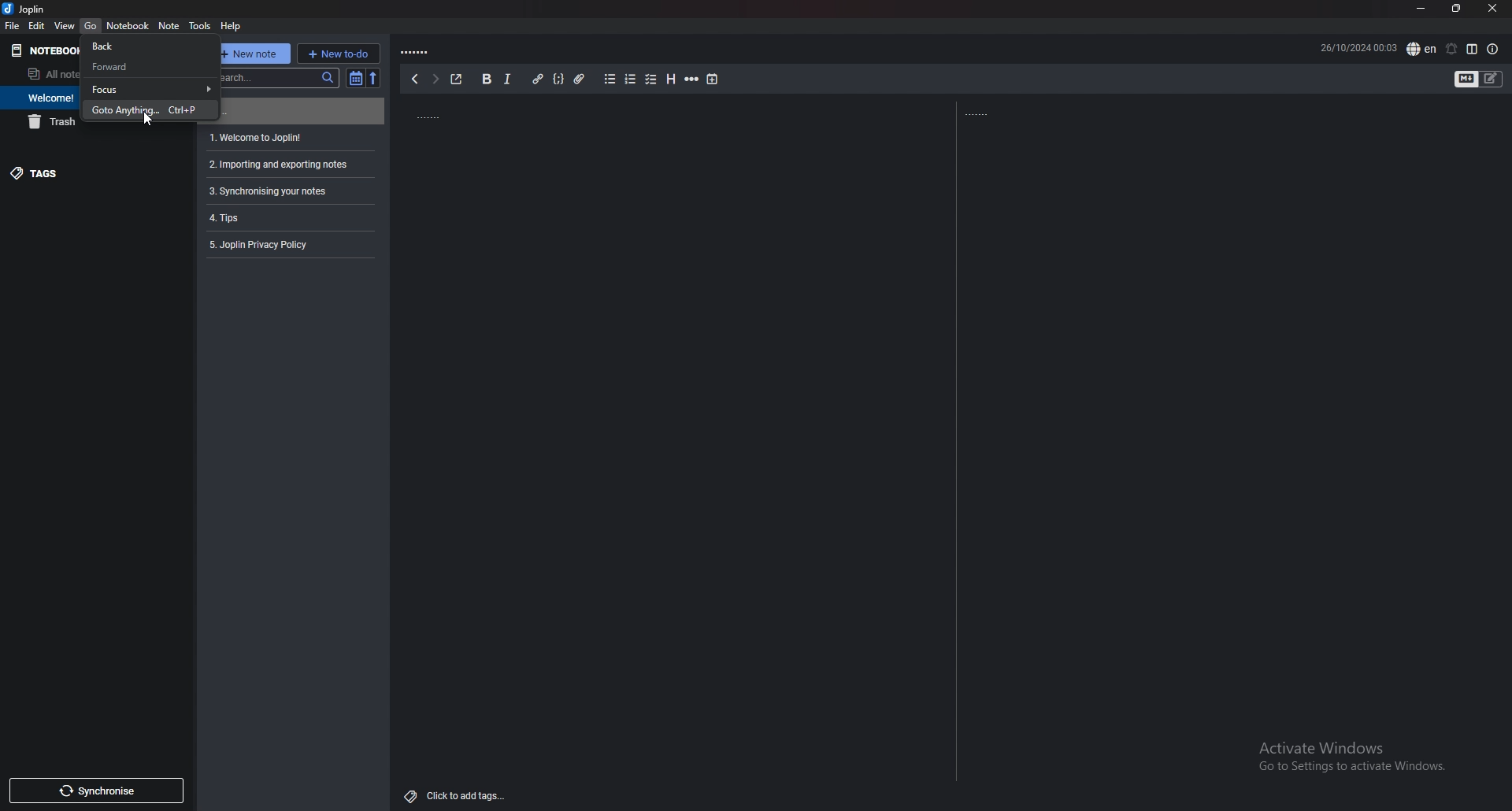 The image size is (1512, 811). Describe the element at coordinates (580, 79) in the screenshot. I see `add attachment` at that location.